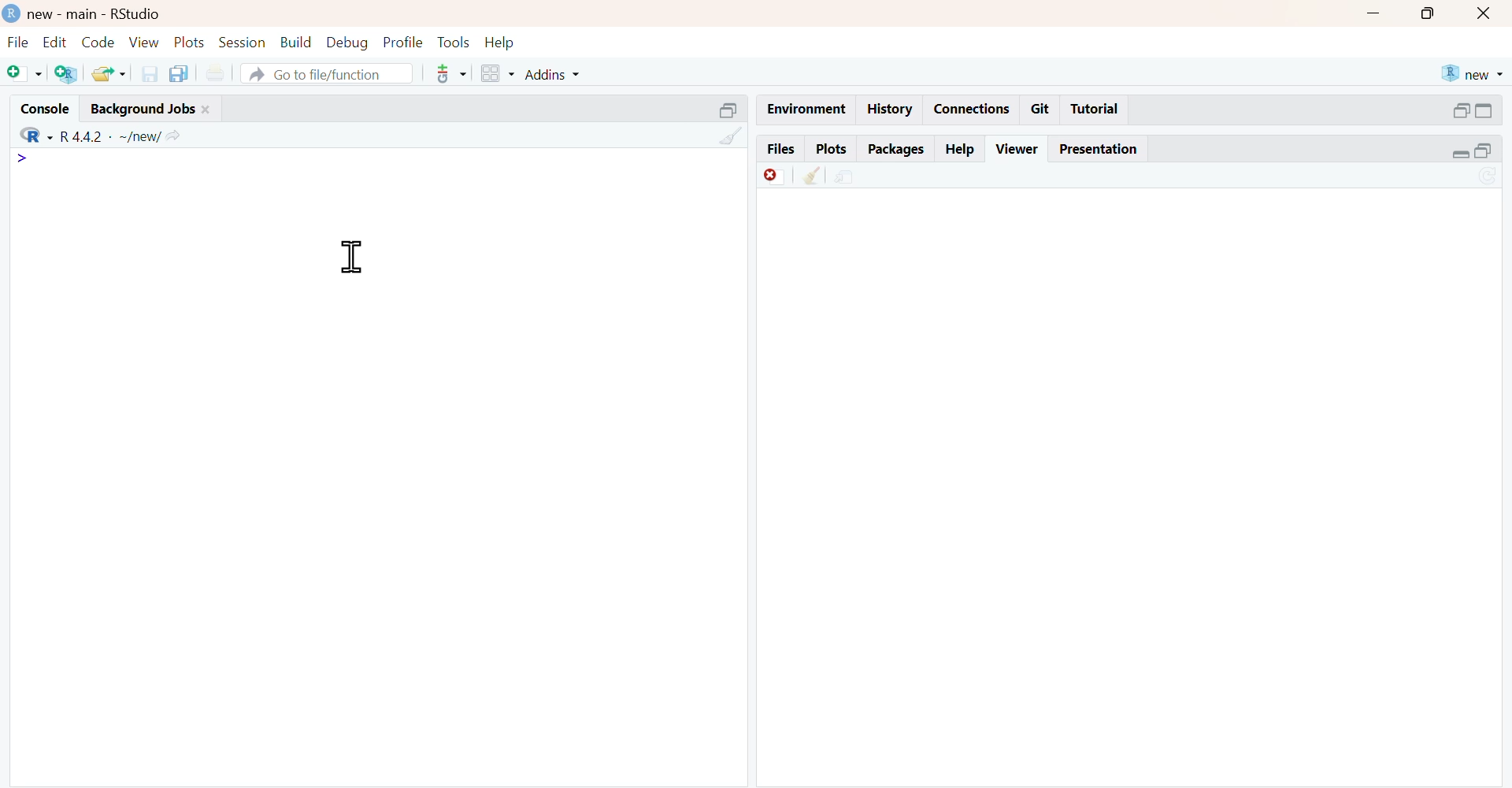  Describe the element at coordinates (1102, 151) in the screenshot. I see `presentation` at that location.